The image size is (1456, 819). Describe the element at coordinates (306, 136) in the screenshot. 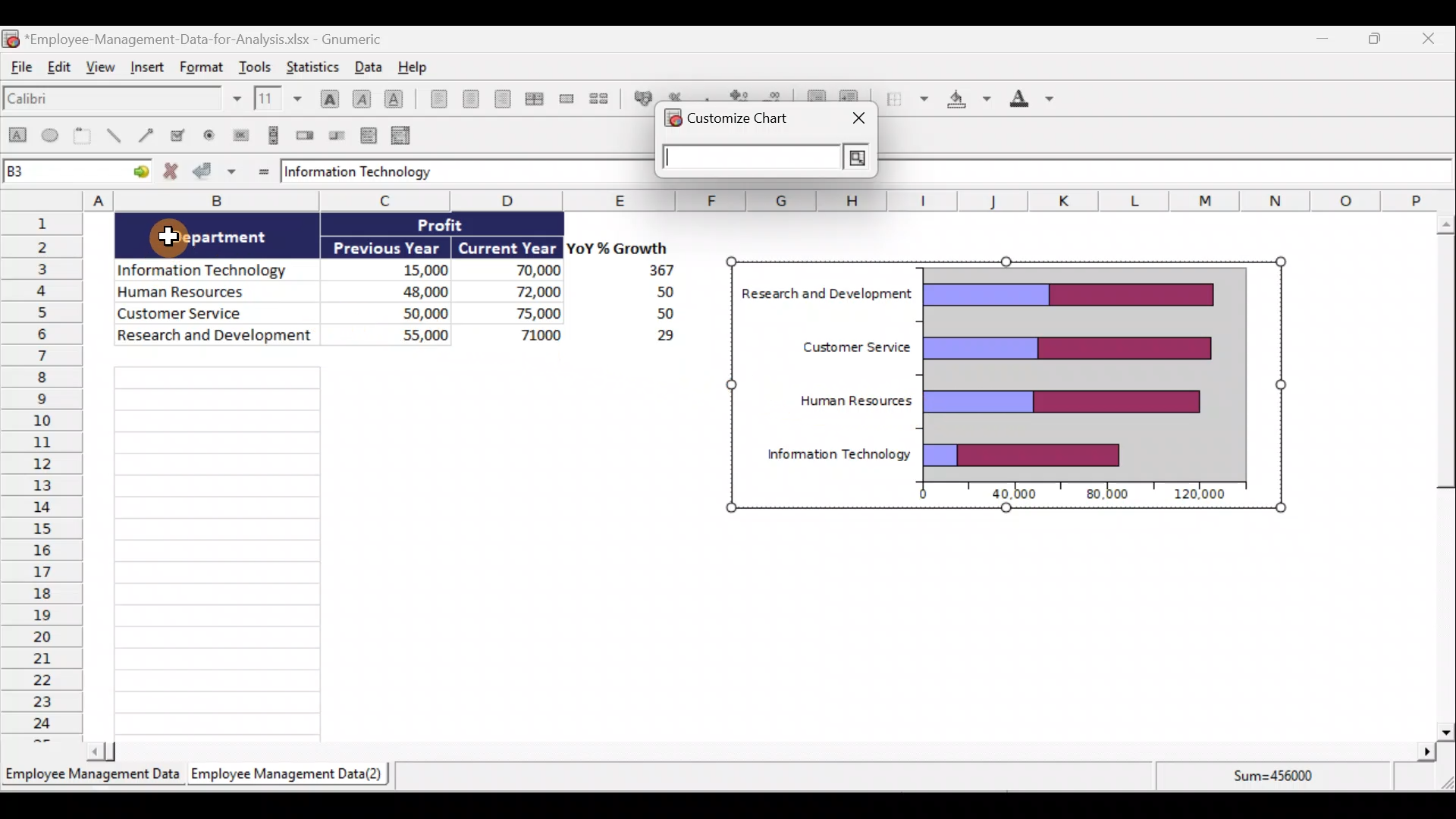

I see `Create a spin button` at that location.